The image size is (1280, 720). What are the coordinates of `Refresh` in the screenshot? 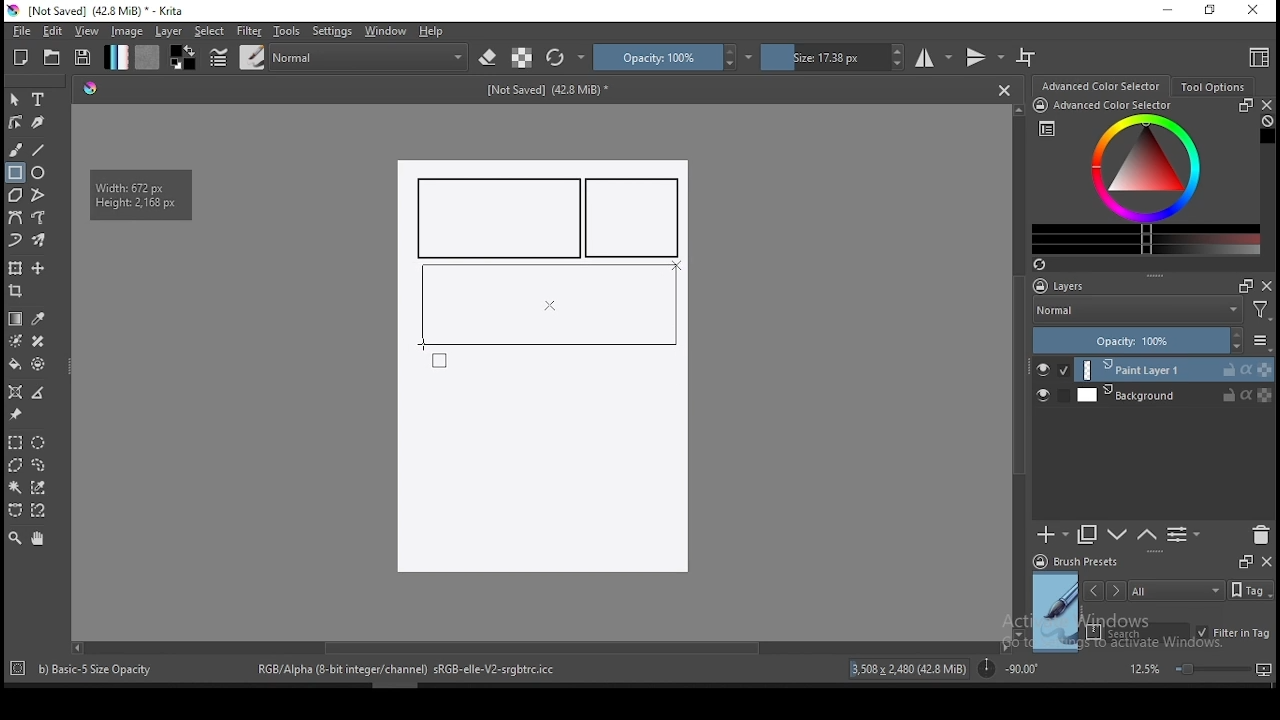 It's located at (1047, 266).